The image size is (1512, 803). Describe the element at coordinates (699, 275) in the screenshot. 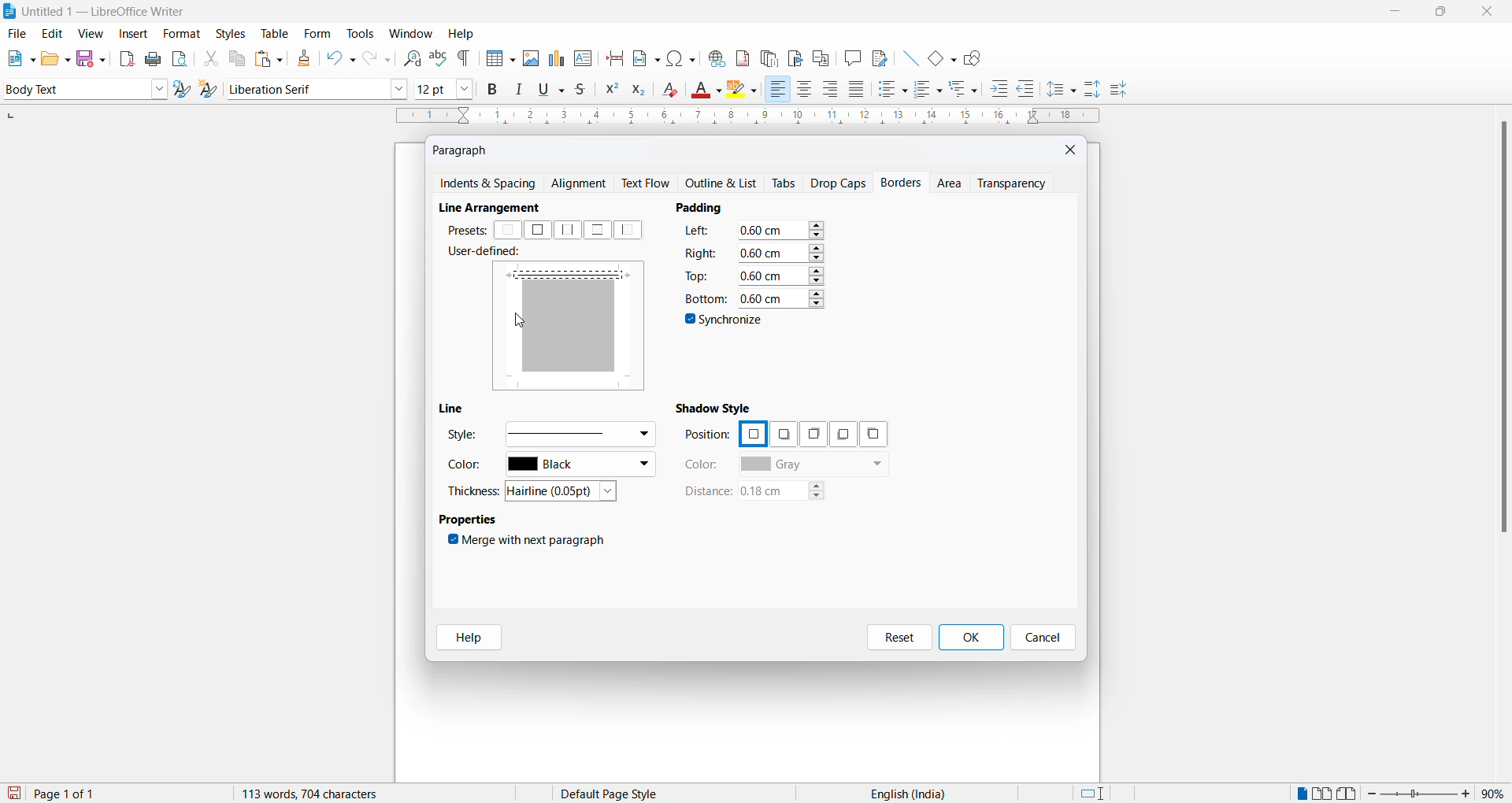

I see `top` at that location.